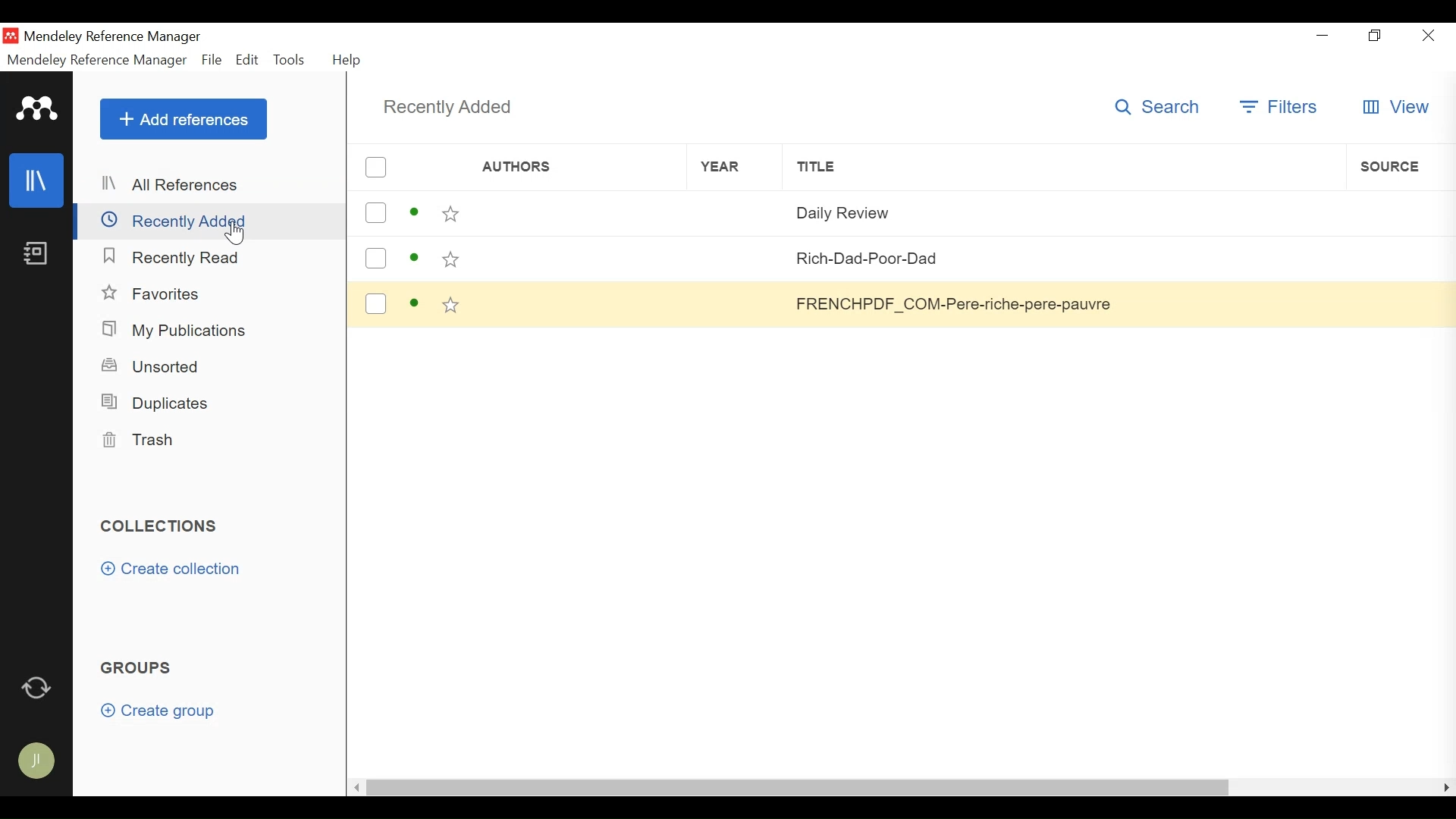 The width and height of the screenshot is (1456, 819). What do you see at coordinates (1323, 36) in the screenshot?
I see `Minimize` at bounding box center [1323, 36].